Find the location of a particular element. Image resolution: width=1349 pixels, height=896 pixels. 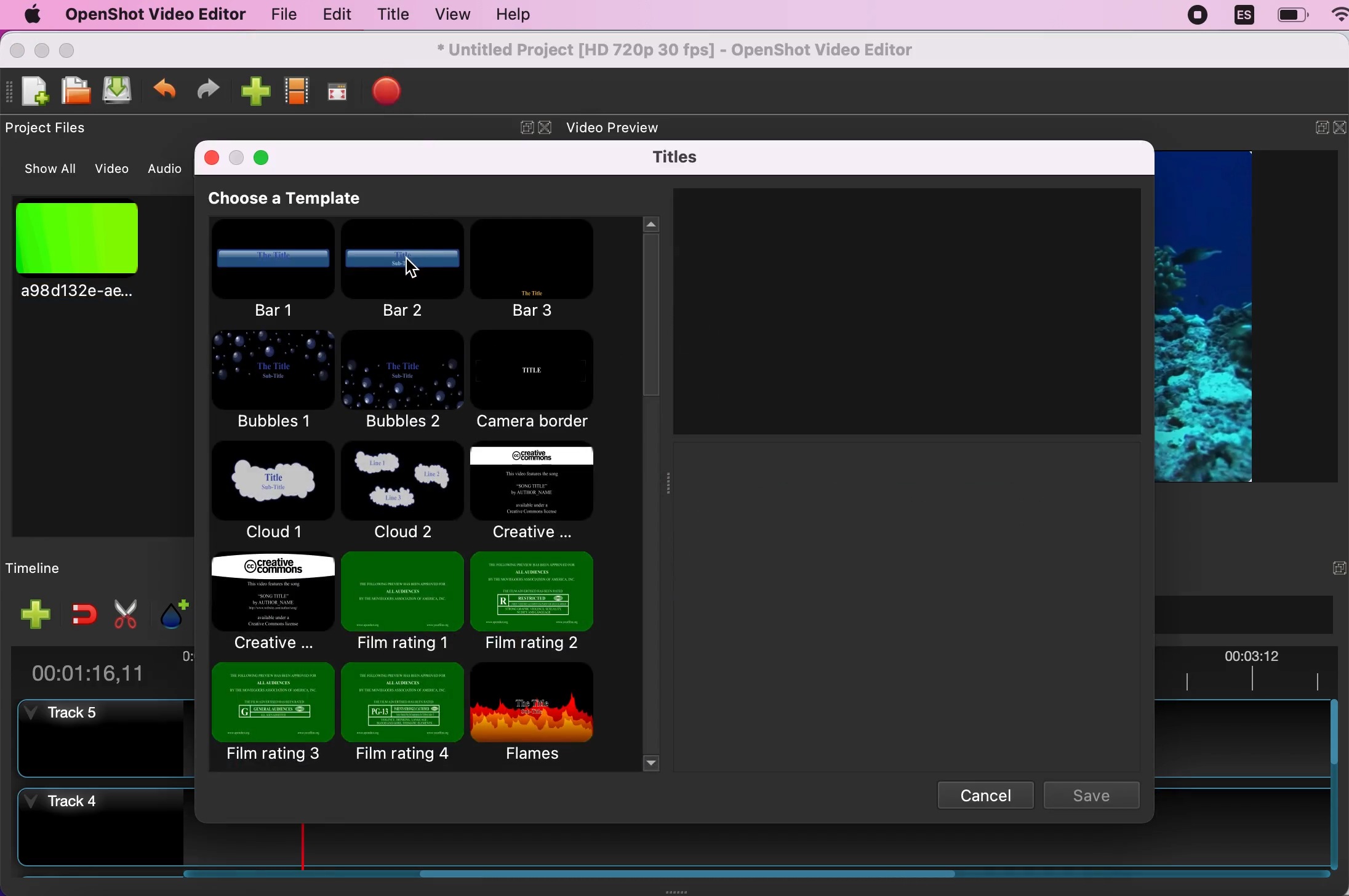

close is located at coordinates (545, 128).